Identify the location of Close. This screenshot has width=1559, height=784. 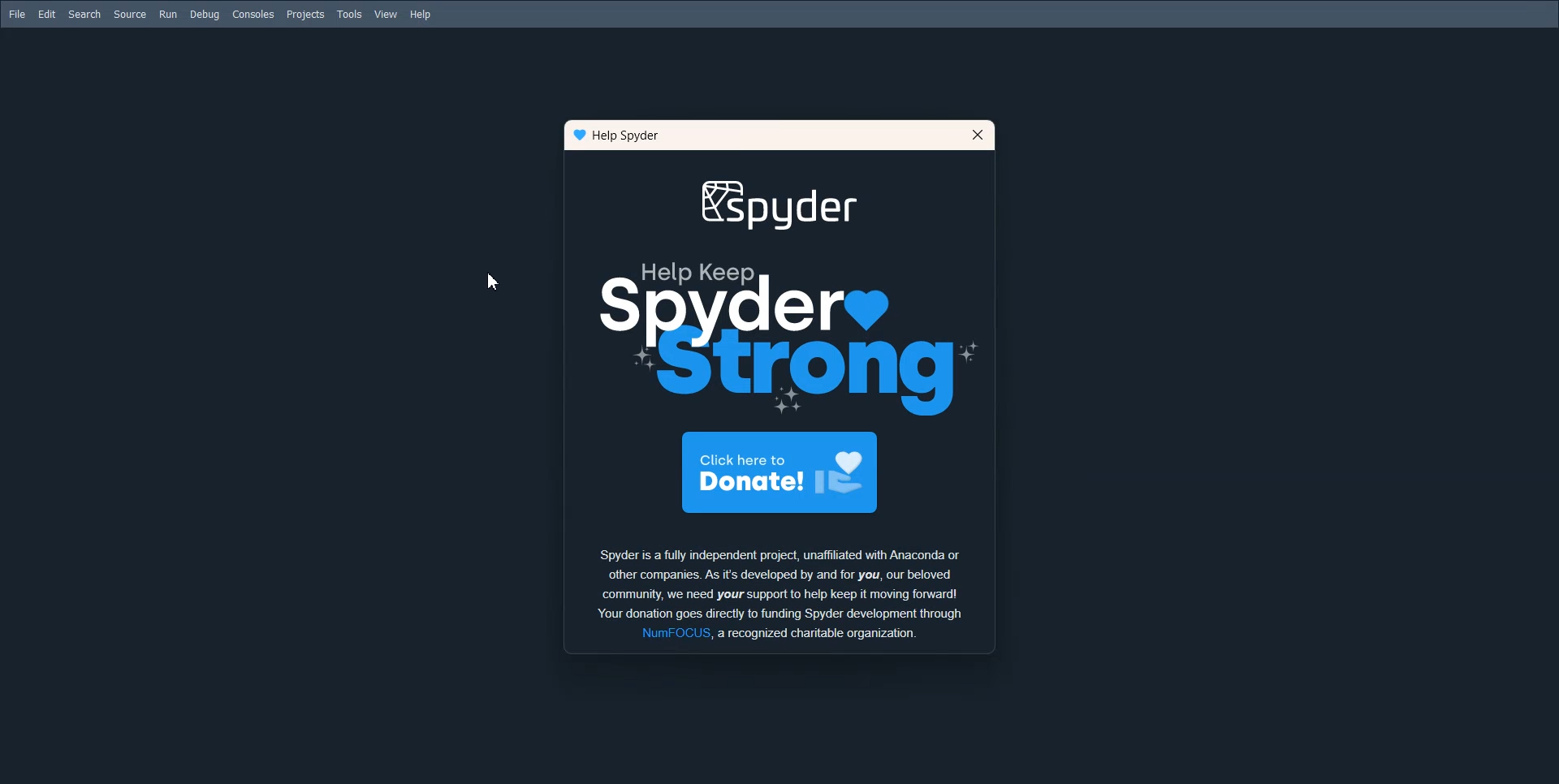
(977, 134).